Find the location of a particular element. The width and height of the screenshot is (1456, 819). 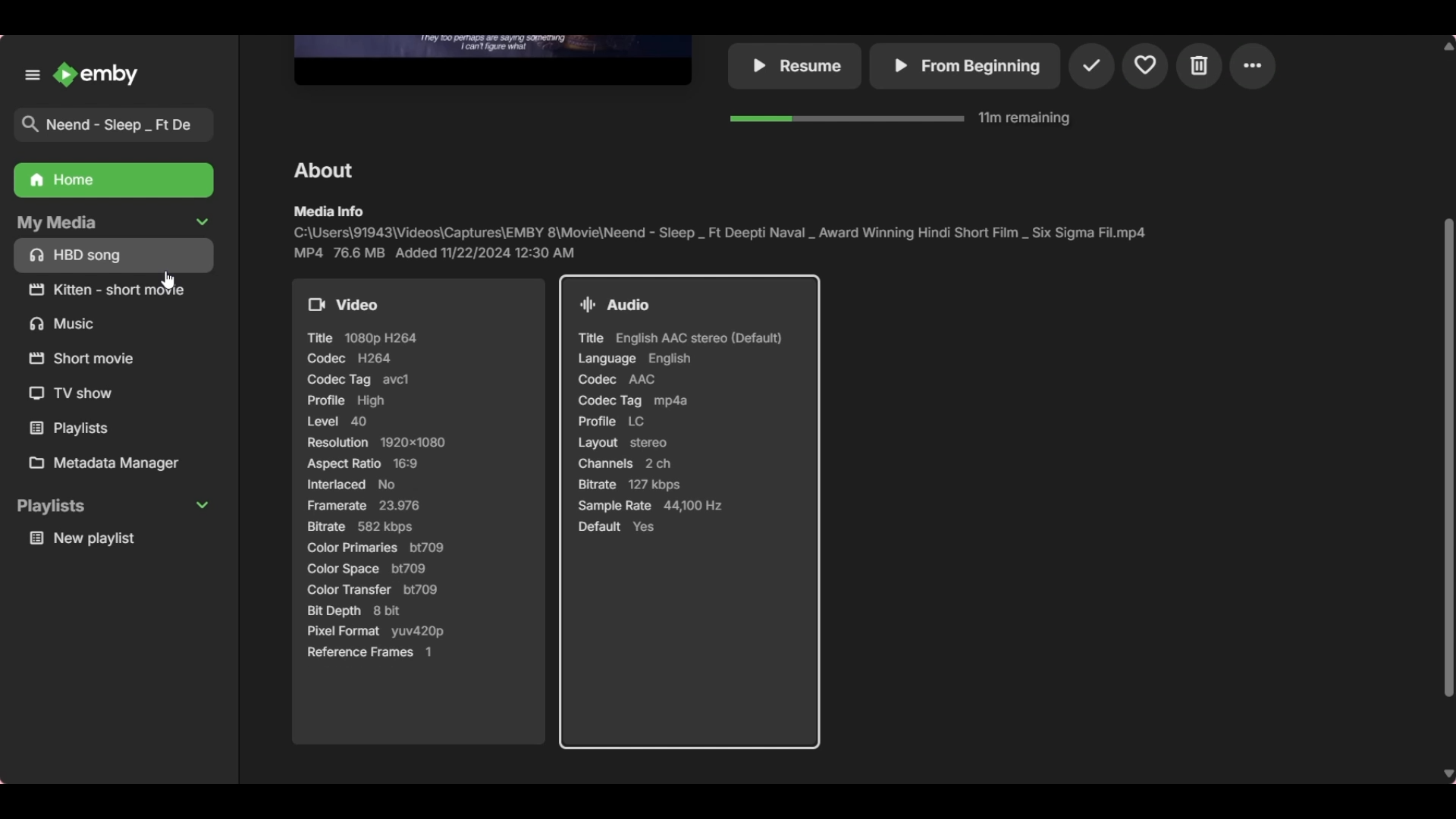

 is located at coordinates (1200, 68).